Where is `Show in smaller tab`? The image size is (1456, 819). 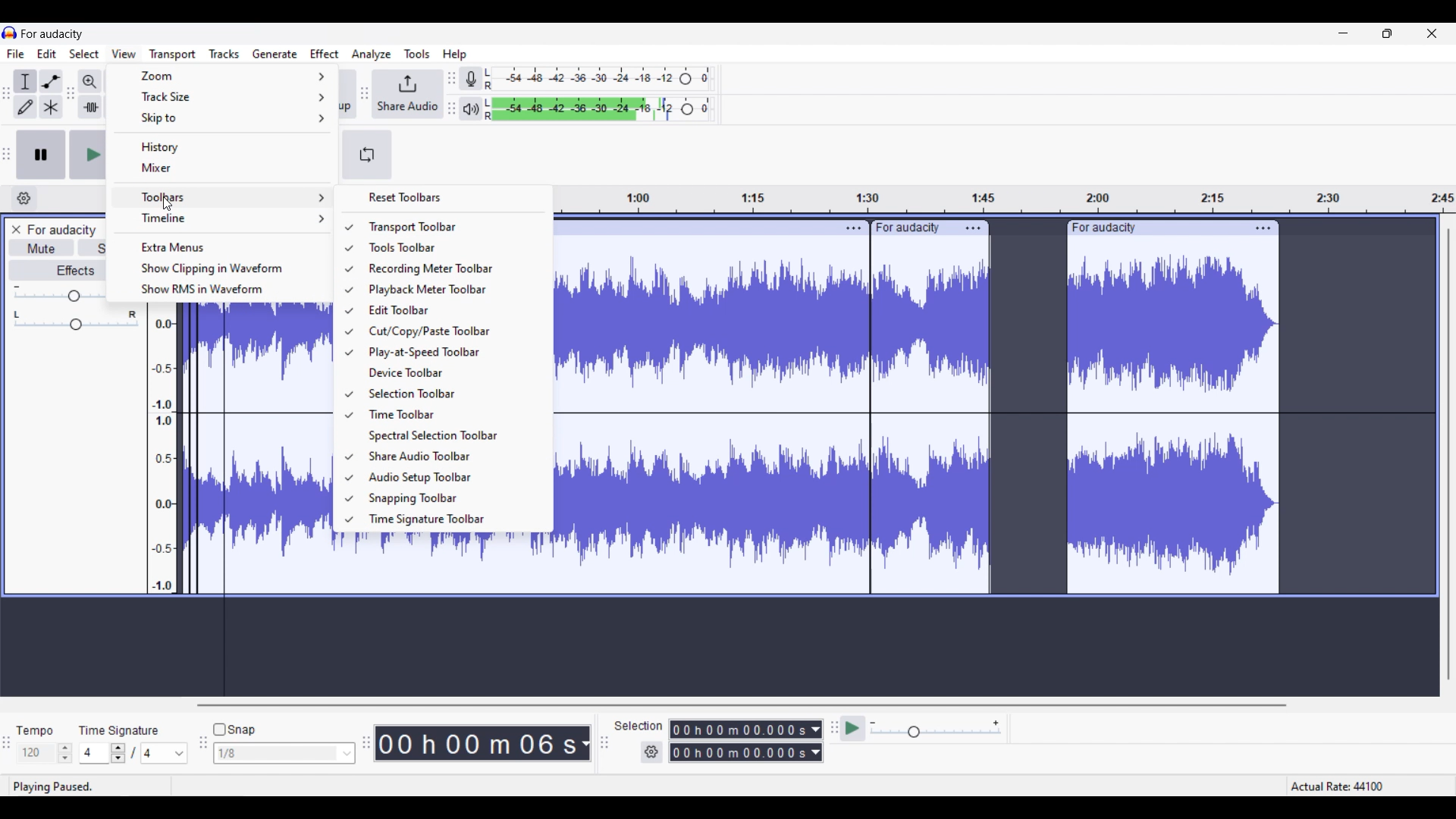
Show in smaller tab is located at coordinates (1387, 33).